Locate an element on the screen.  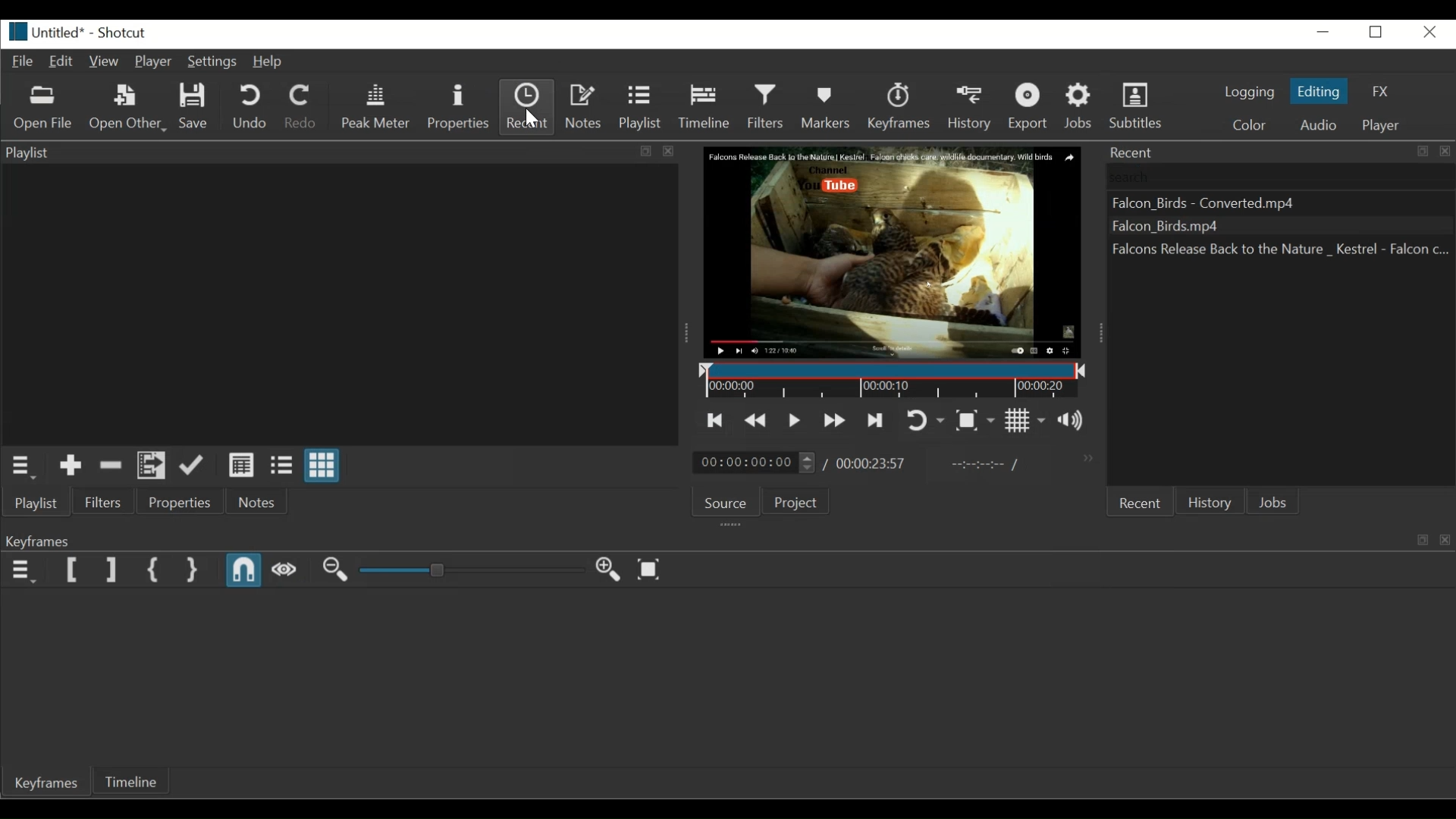
playlist menu is located at coordinates (22, 465).